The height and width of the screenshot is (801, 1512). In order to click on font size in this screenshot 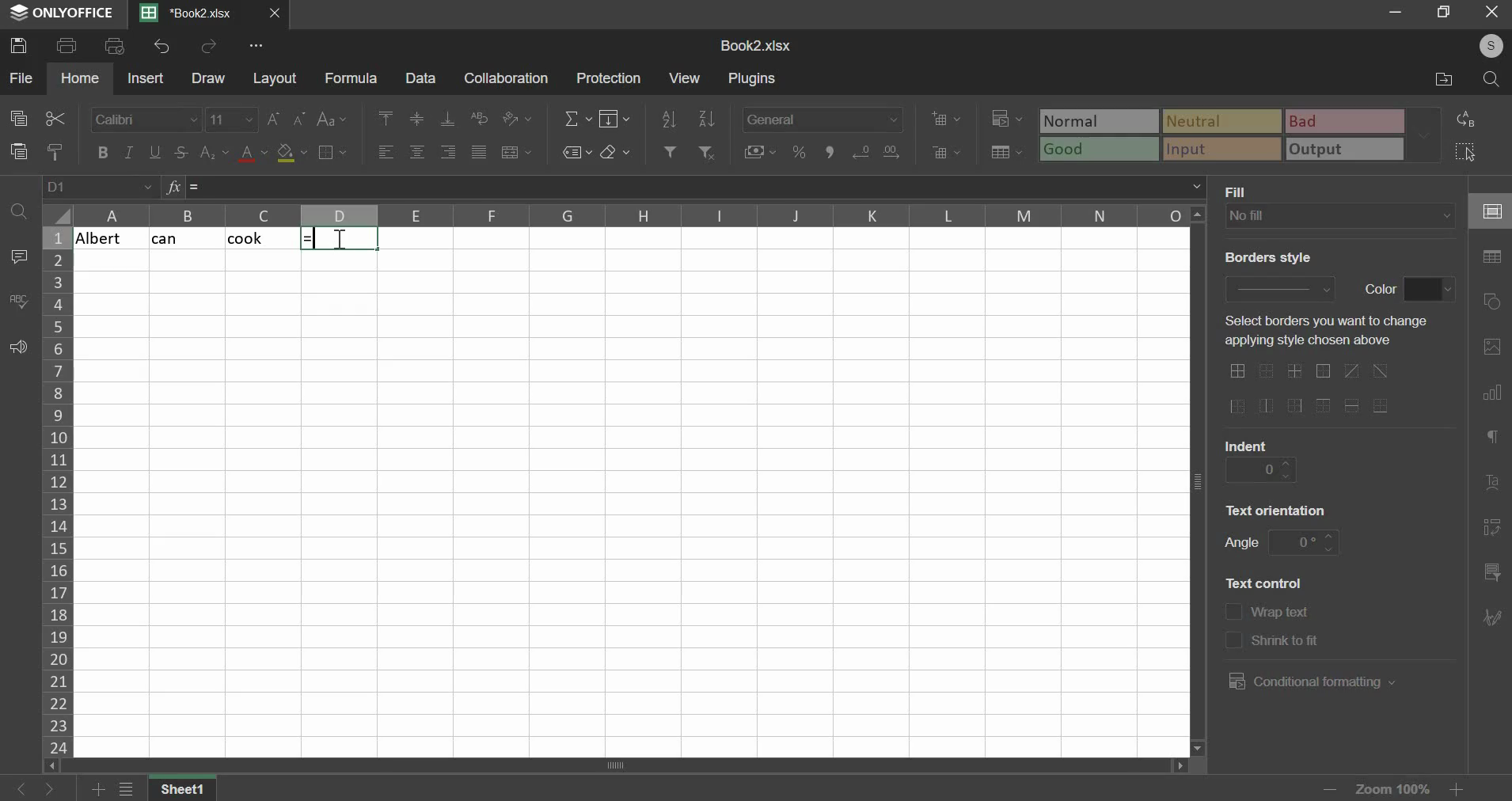, I will do `click(232, 119)`.